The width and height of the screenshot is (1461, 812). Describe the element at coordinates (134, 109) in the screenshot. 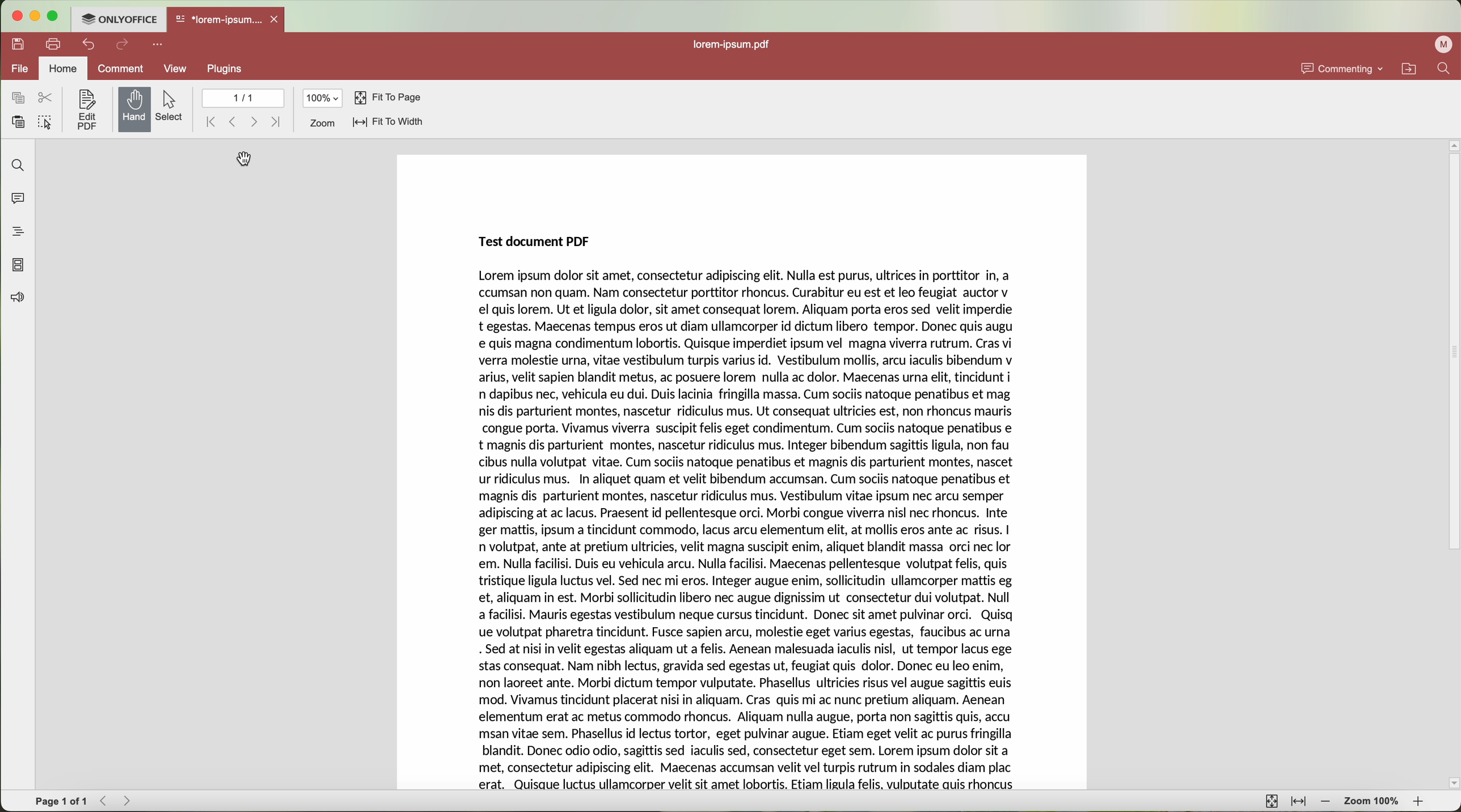

I see `hand` at that location.